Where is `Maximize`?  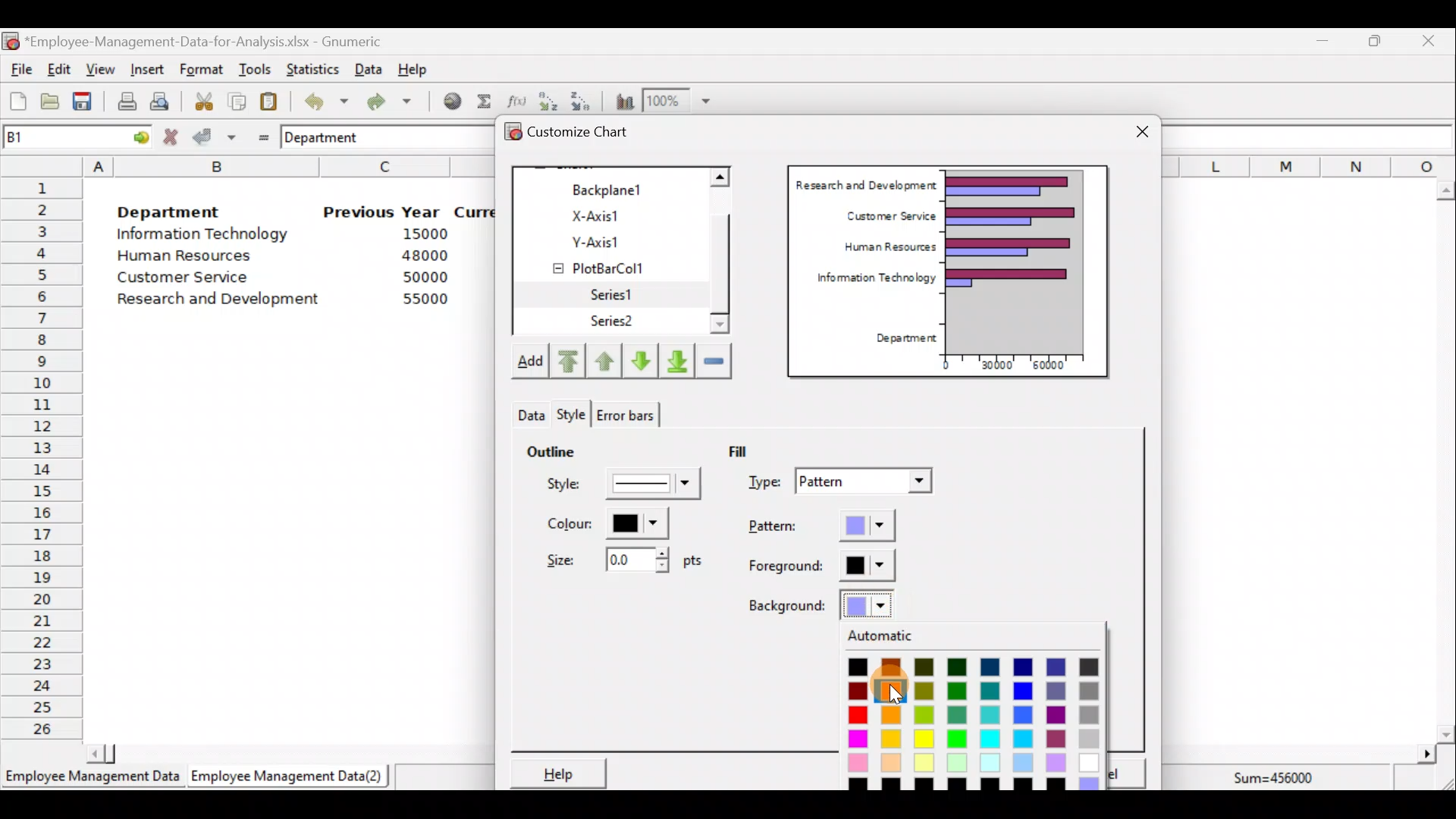 Maximize is located at coordinates (1375, 40).